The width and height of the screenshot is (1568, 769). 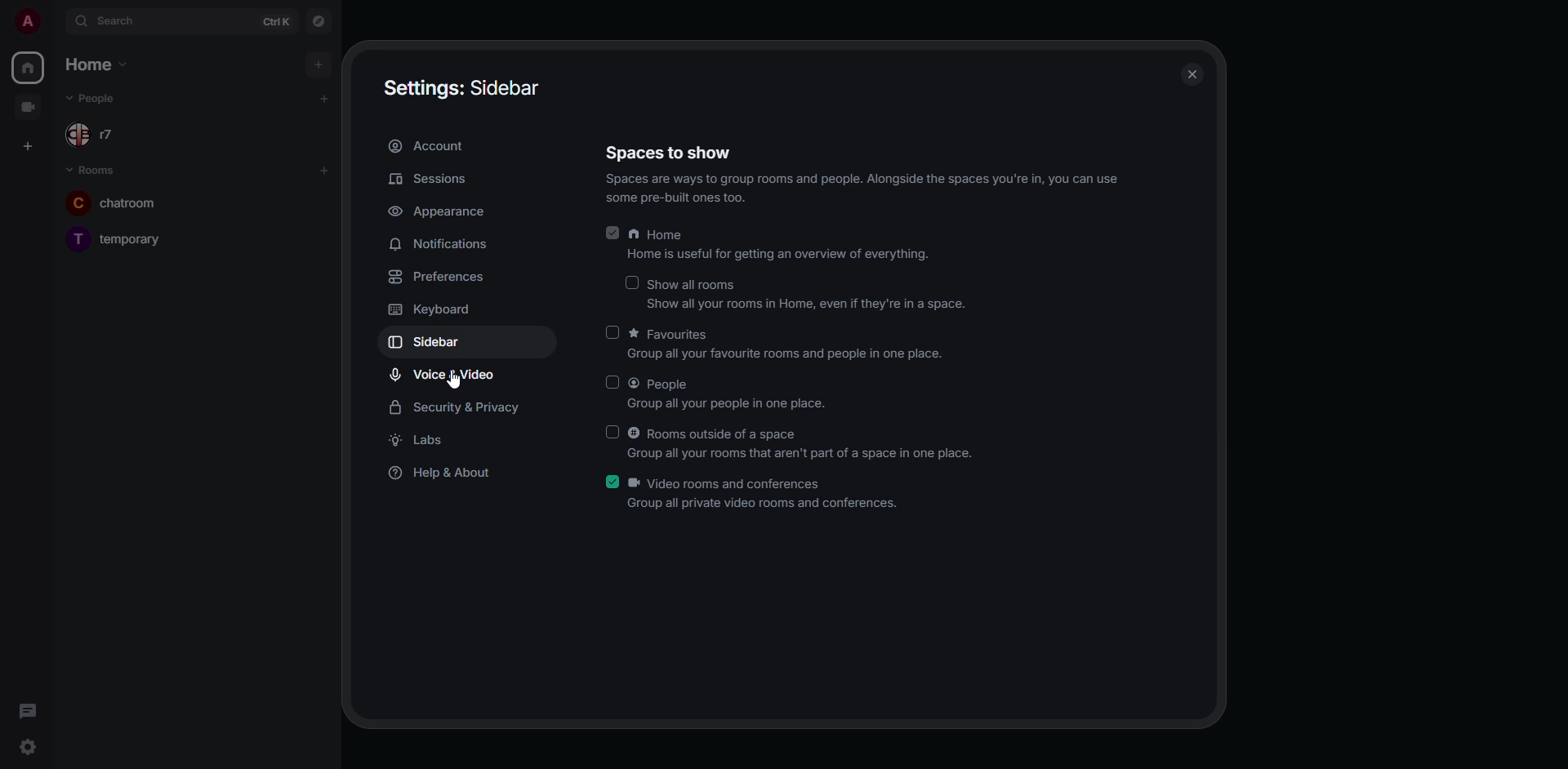 What do you see at coordinates (124, 21) in the screenshot?
I see `search` at bounding box center [124, 21].